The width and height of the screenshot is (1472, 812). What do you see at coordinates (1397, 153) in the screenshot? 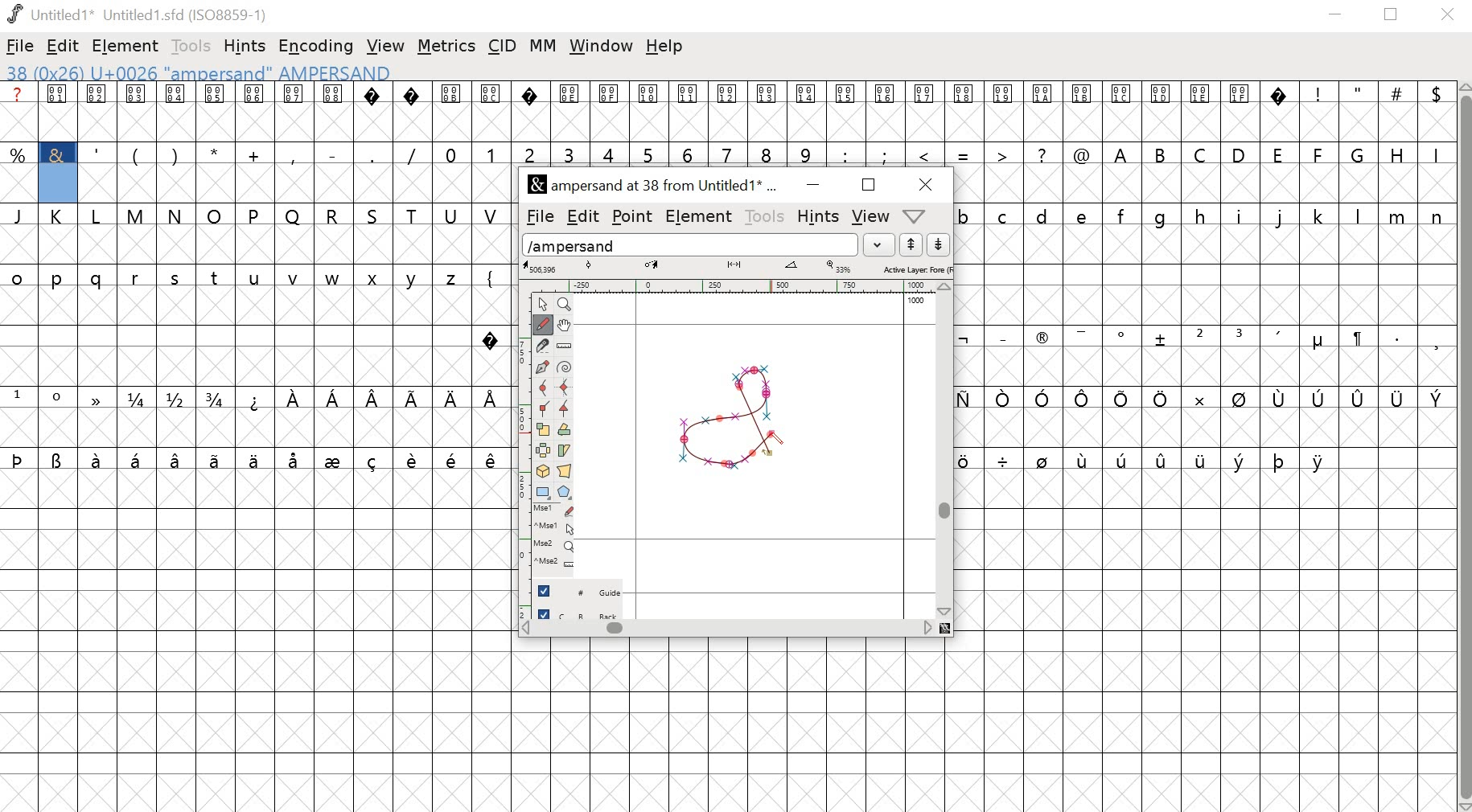
I see `H` at bounding box center [1397, 153].